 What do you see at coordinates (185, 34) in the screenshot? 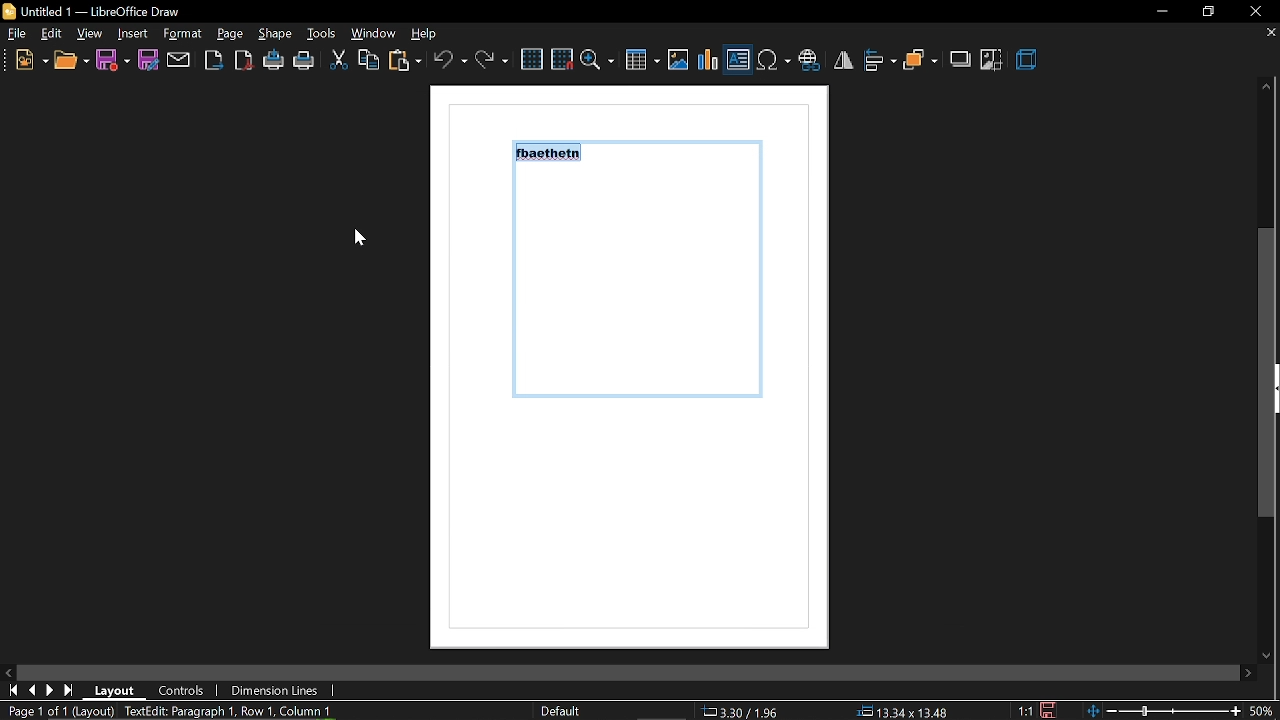
I see `insert` at bounding box center [185, 34].